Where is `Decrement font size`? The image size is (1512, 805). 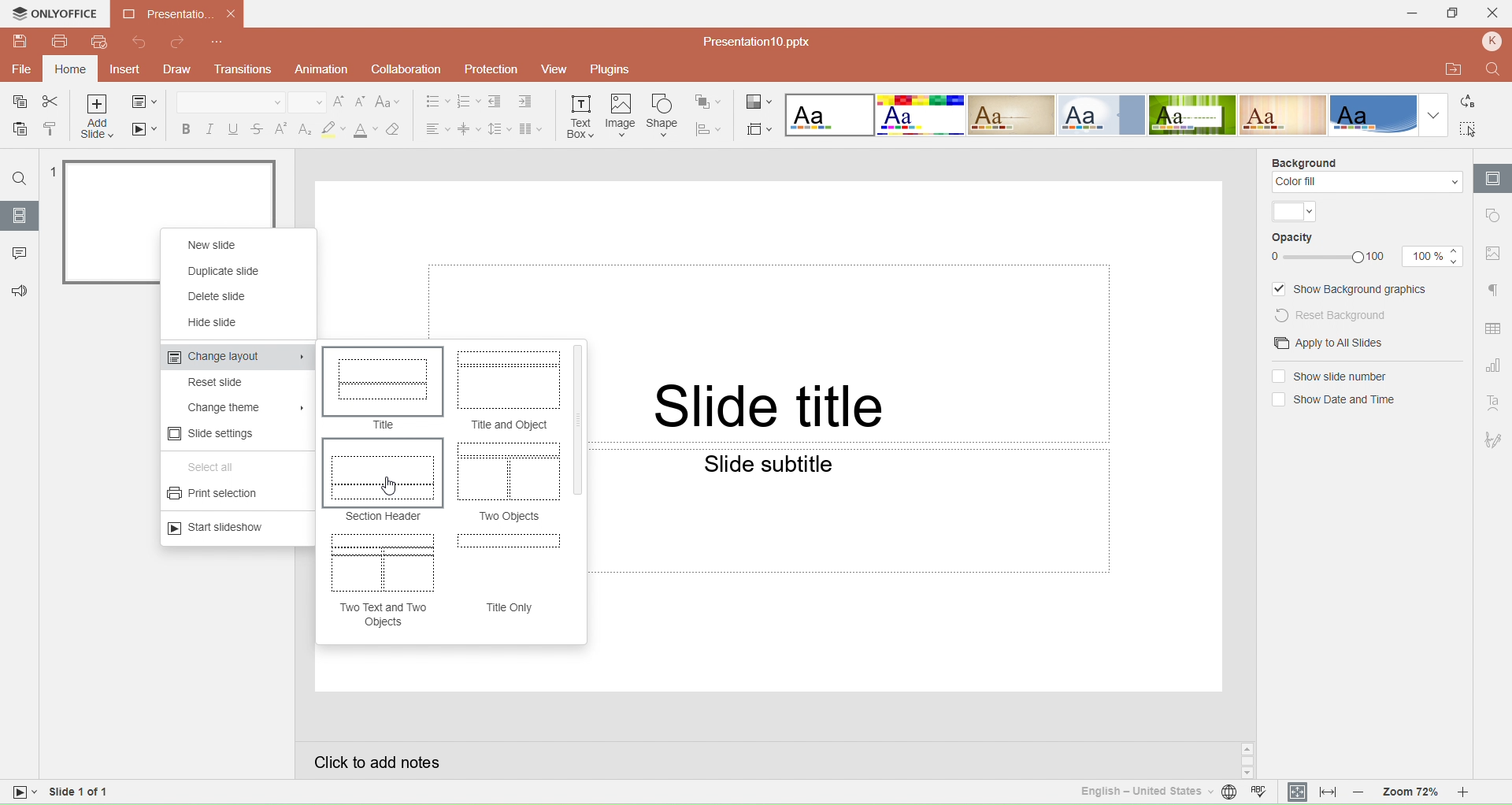
Decrement font size is located at coordinates (361, 102).